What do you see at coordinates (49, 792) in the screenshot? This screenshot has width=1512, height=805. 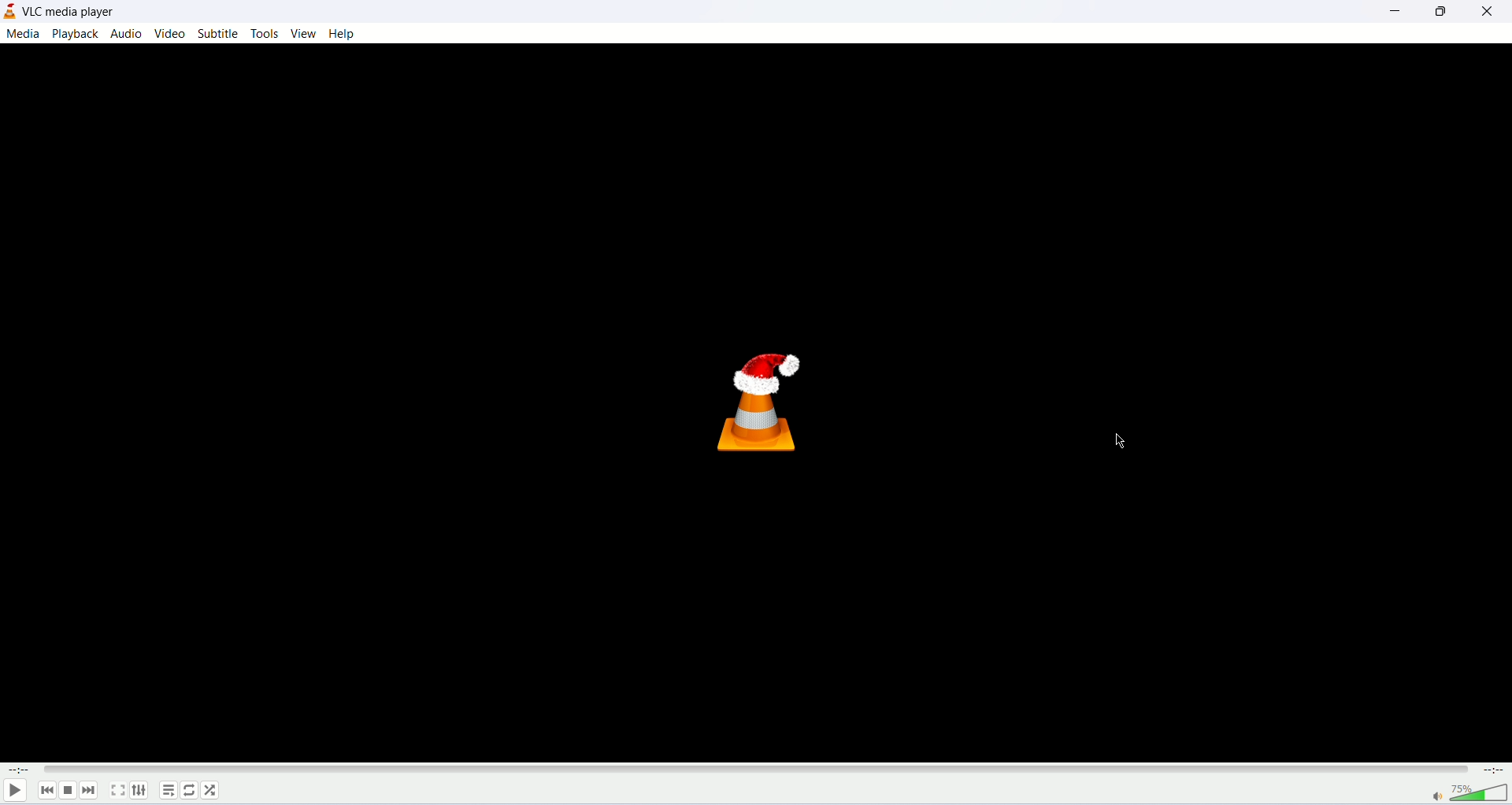 I see `previous` at bounding box center [49, 792].